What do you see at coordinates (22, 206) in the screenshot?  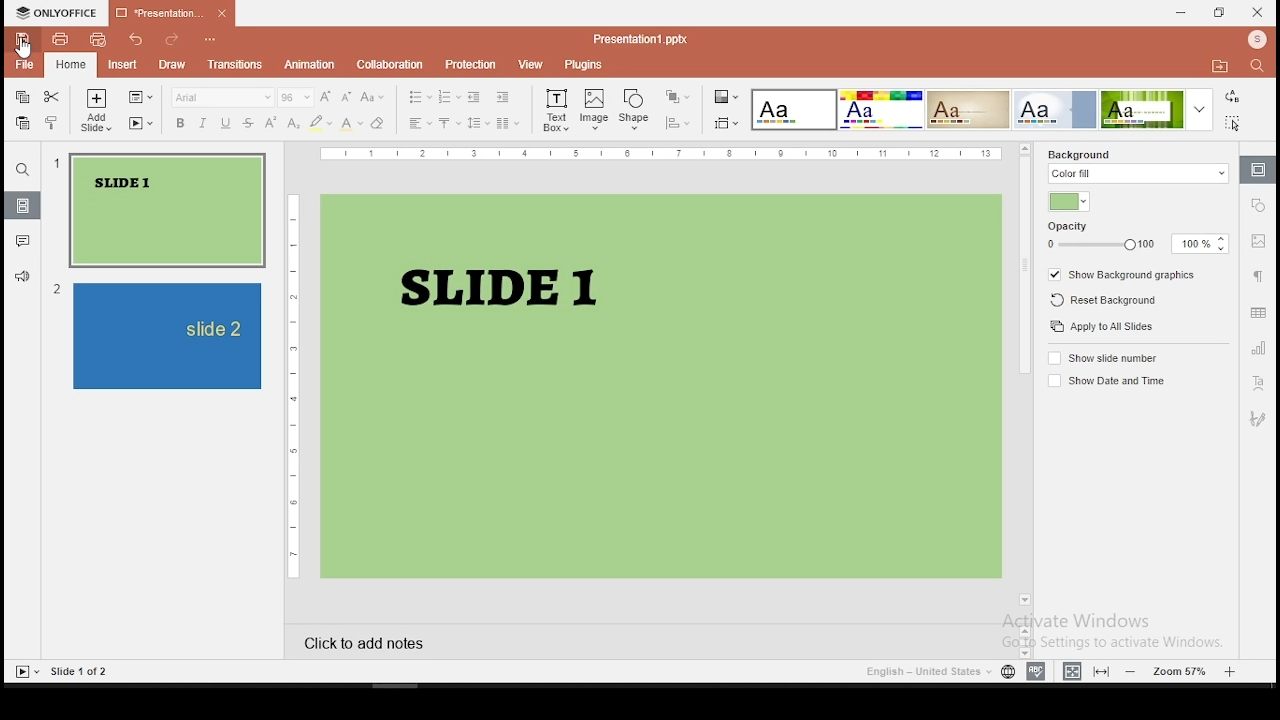 I see `slides` at bounding box center [22, 206].